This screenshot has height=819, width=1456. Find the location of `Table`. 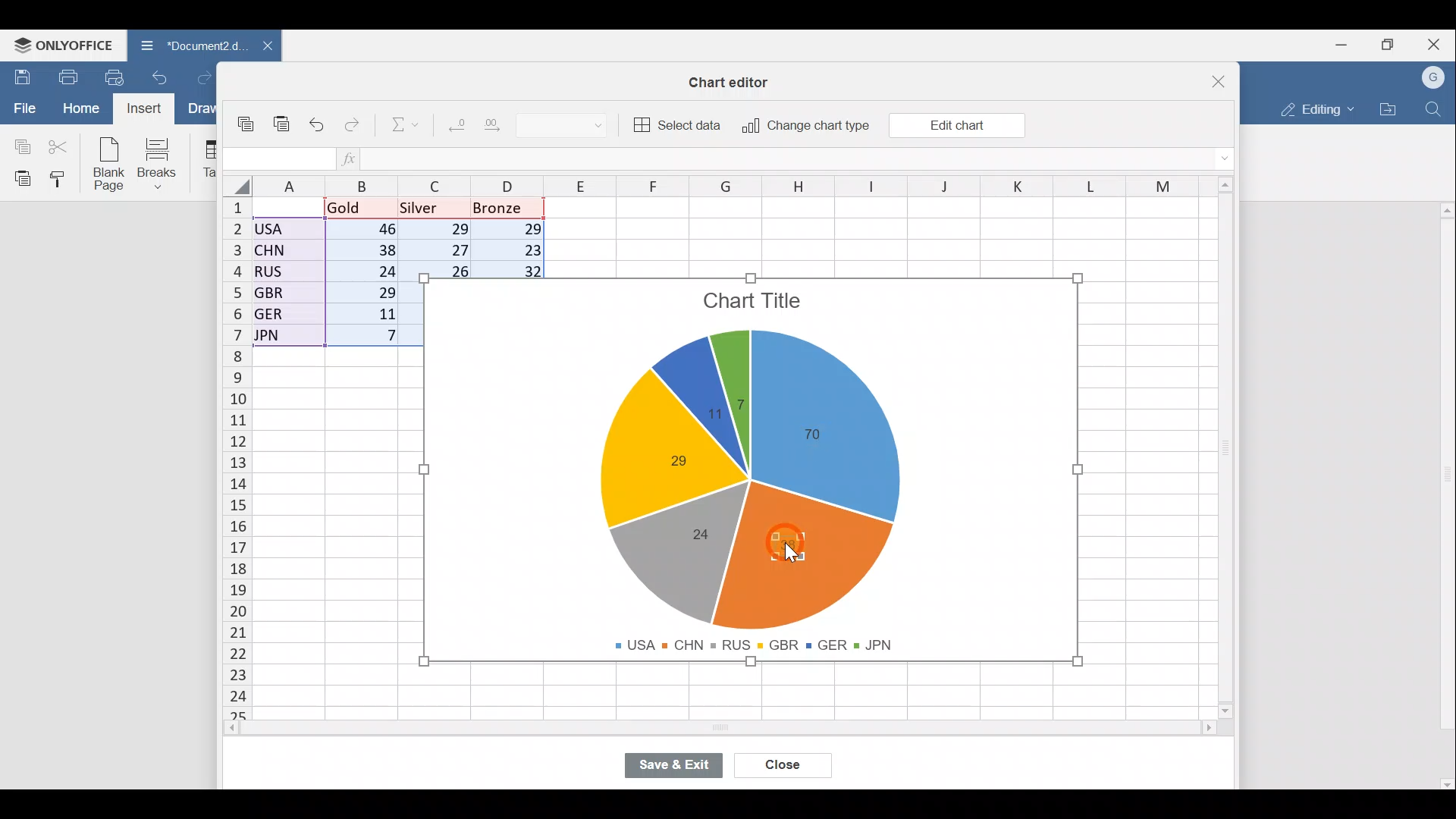

Table is located at coordinates (205, 159).